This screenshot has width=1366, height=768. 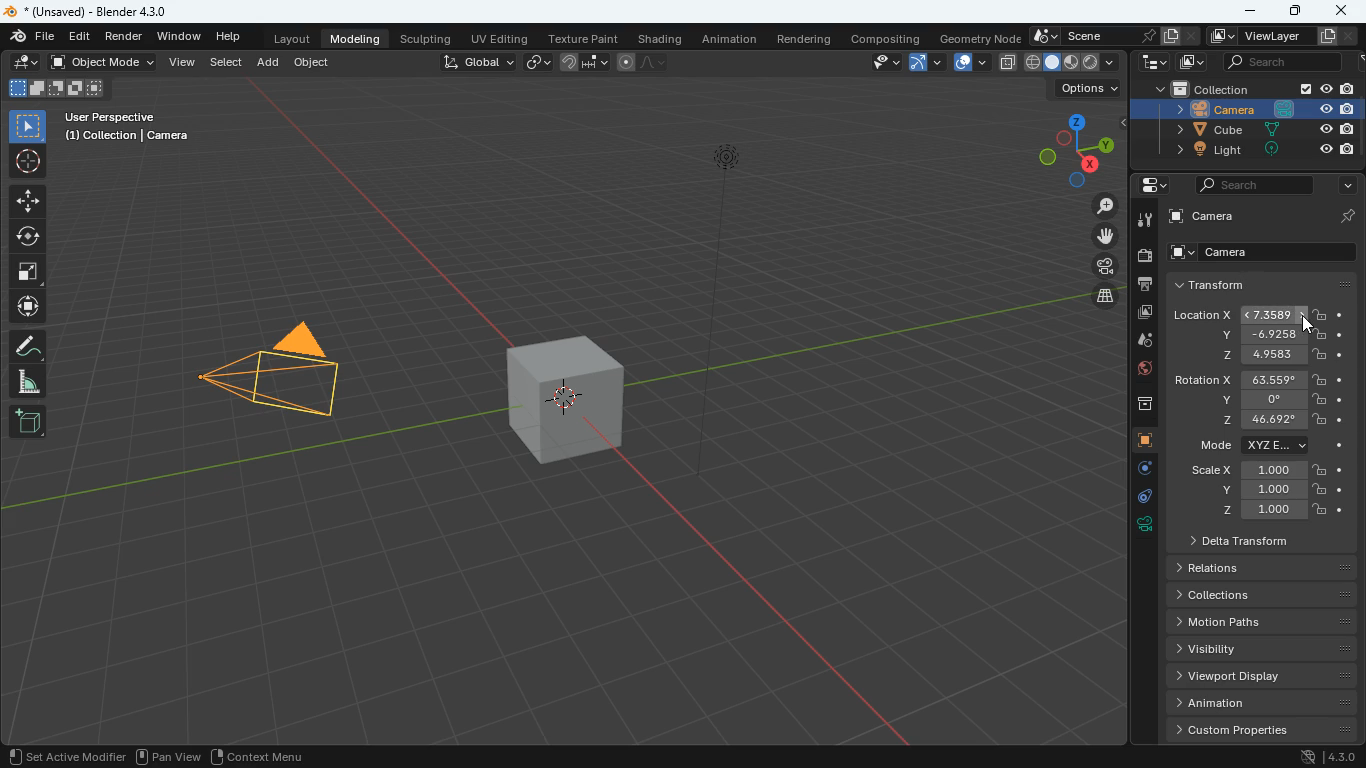 I want to click on user perspective, so click(x=125, y=130).